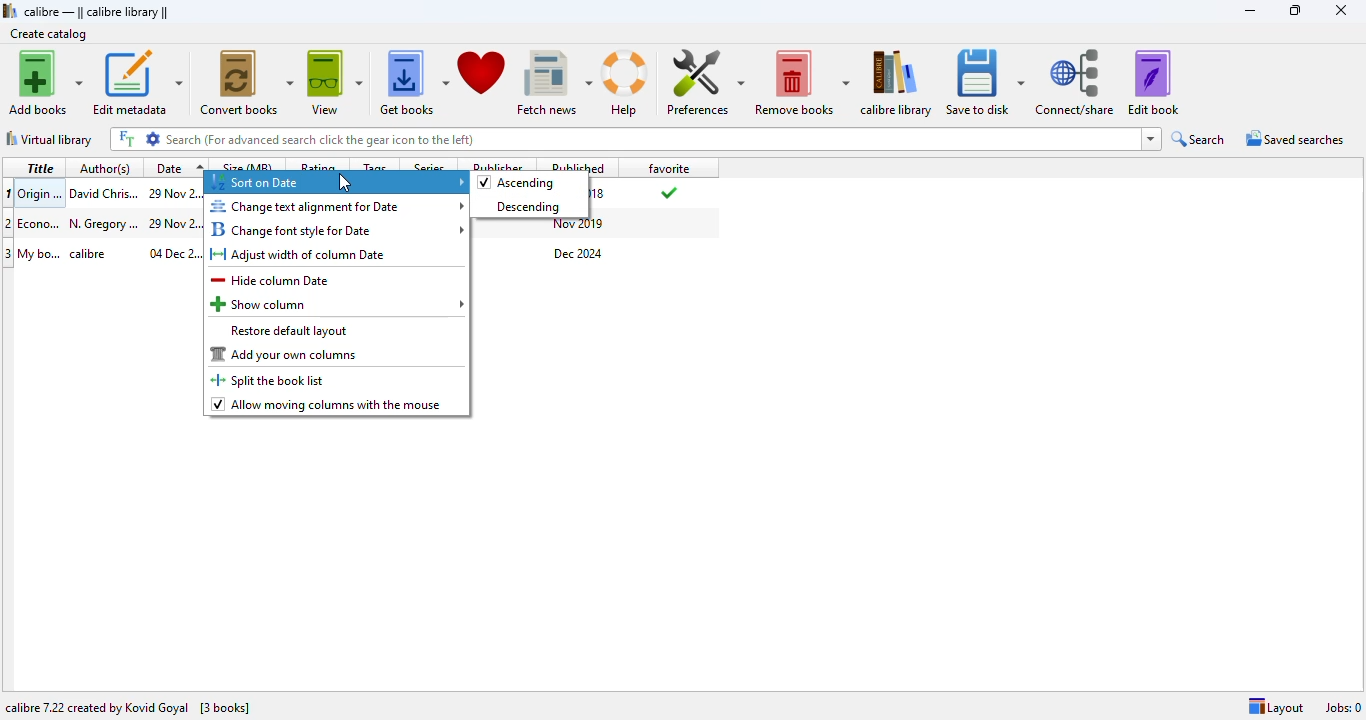 This screenshot has height=720, width=1366. What do you see at coordinates (40, 167) in the screenshot?
I see `title` at bounding box center [40, 167].